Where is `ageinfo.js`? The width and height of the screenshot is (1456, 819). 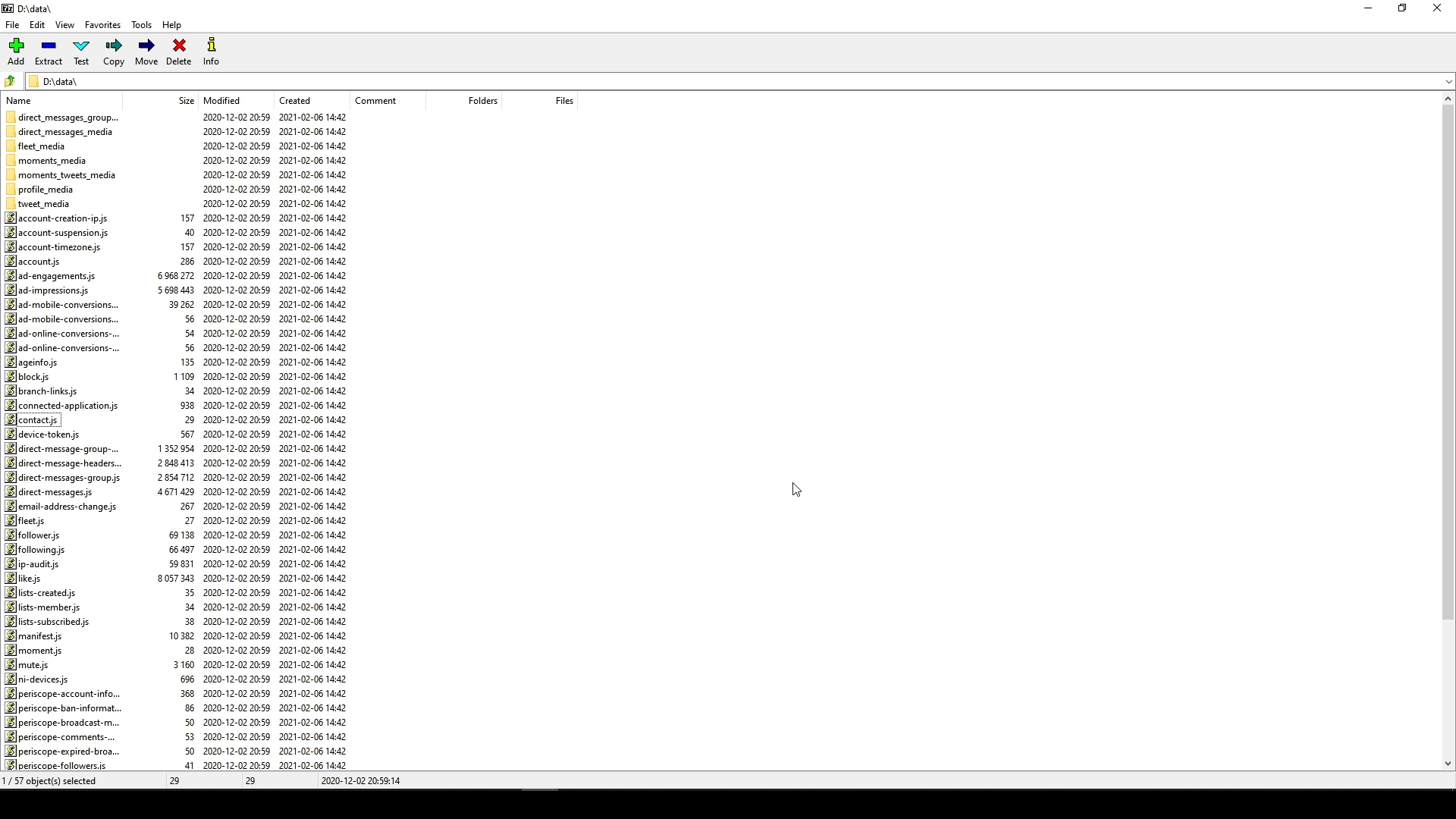
ageinfo.js is located at coordinates (33, 362).